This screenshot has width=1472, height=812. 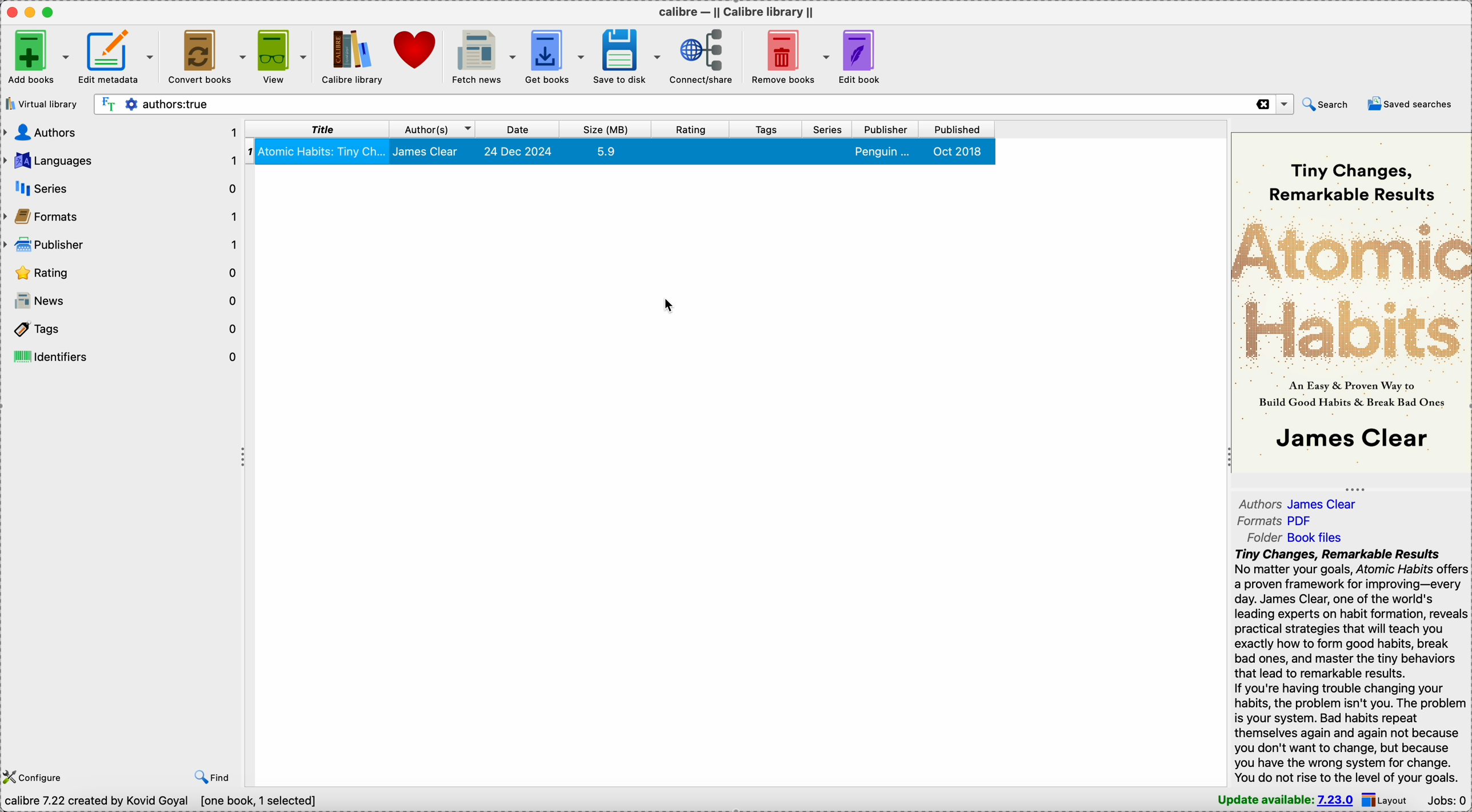 I want to click on cursor, so click(x=669, y=305).